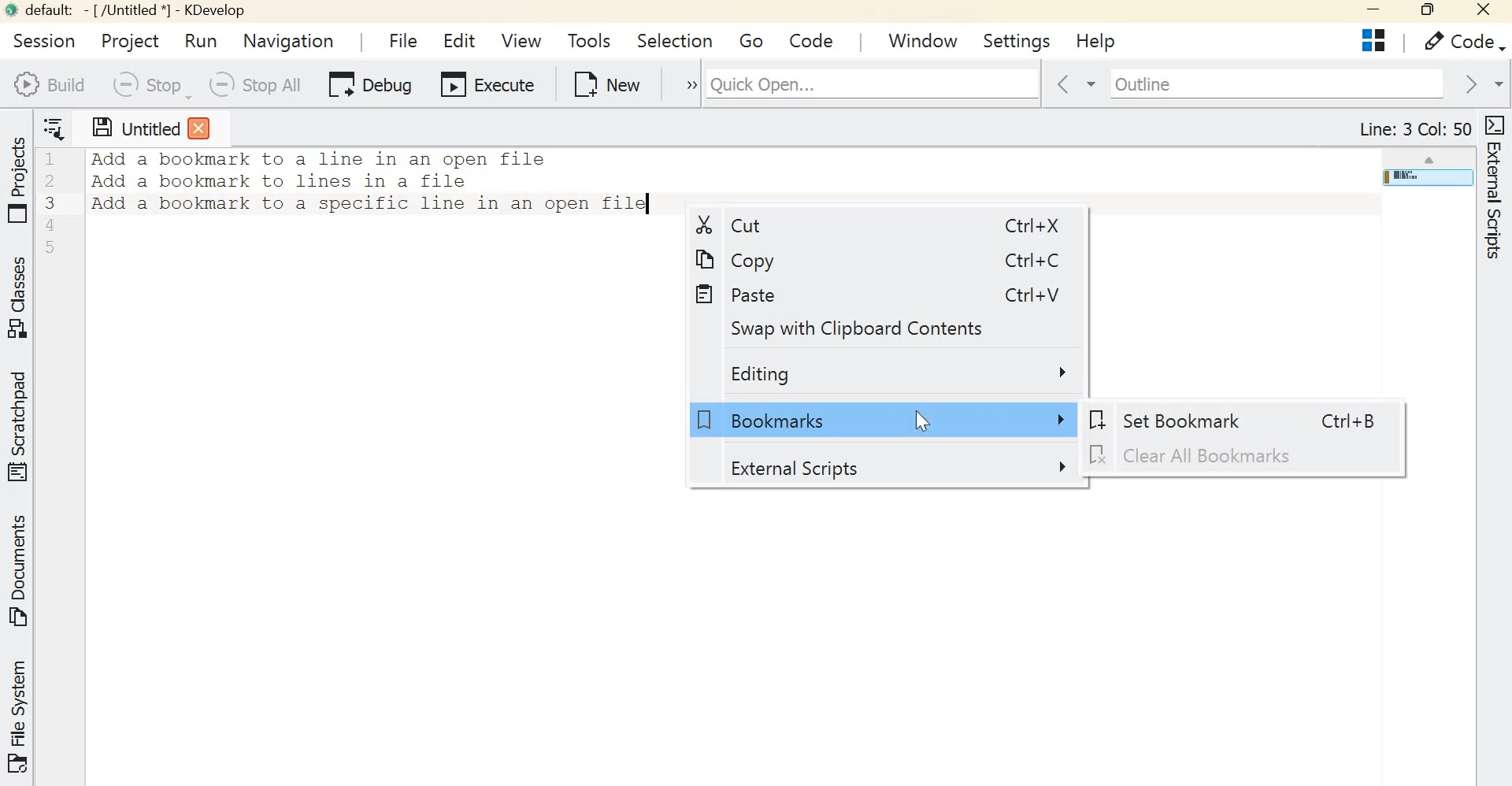  I want to click on Clear all bookmarks, so click(1199, 455).